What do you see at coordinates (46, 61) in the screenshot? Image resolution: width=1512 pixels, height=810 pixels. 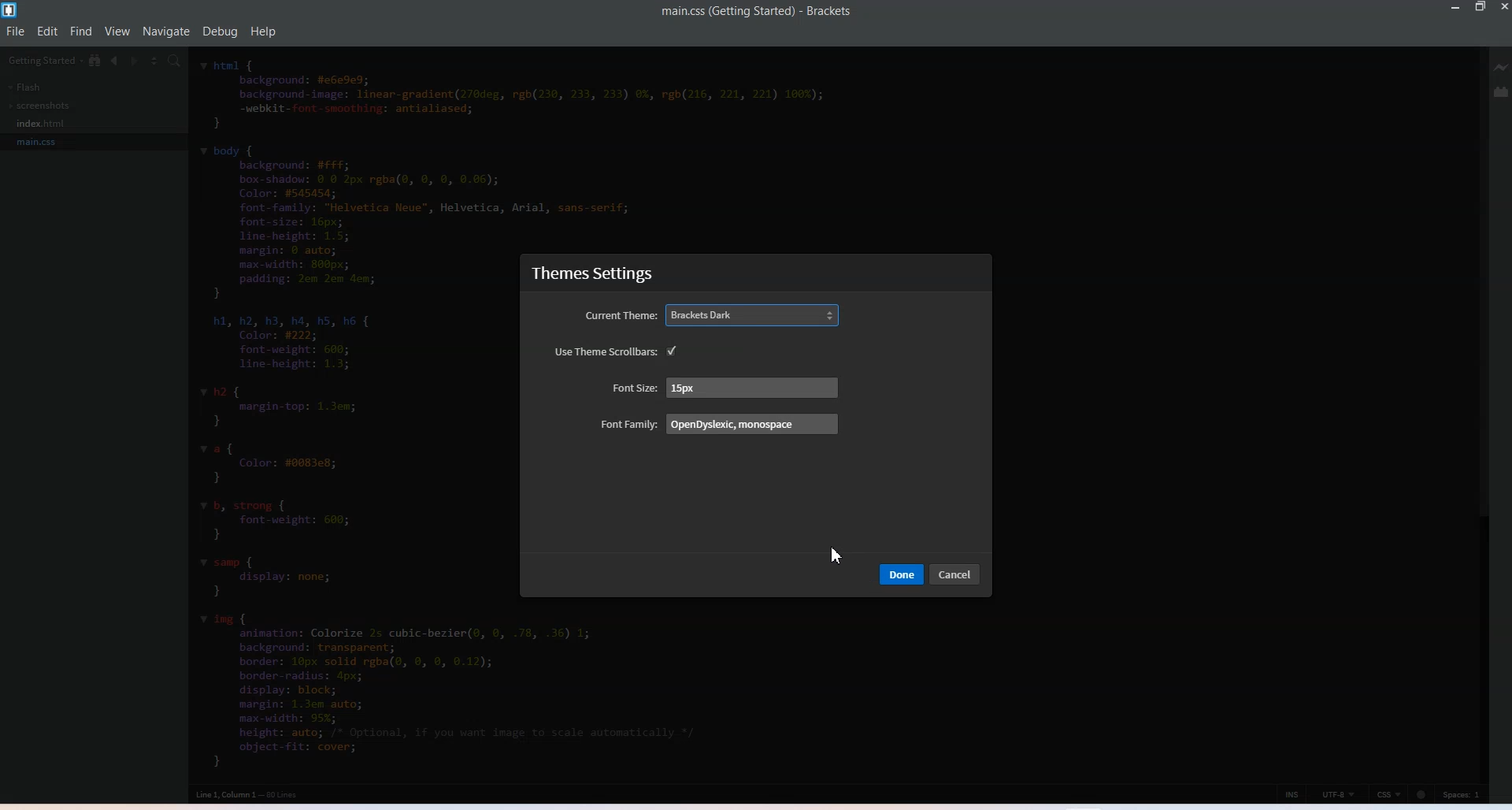 I see `Getting Started` at bounding box center [46, 61].